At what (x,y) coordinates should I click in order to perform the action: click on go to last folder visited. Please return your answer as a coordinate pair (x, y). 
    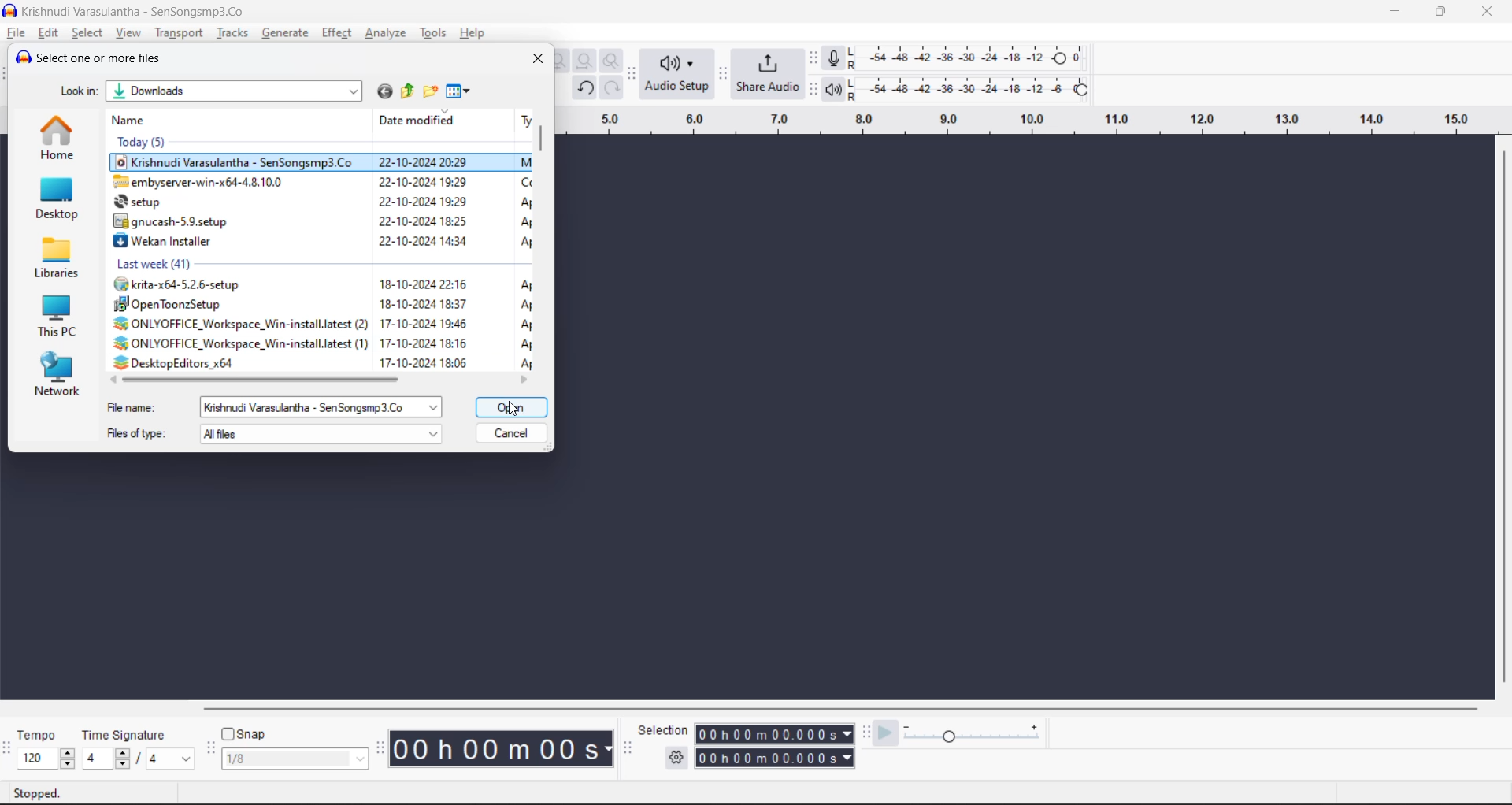
    Looking at the image, I should click on (384, 91).